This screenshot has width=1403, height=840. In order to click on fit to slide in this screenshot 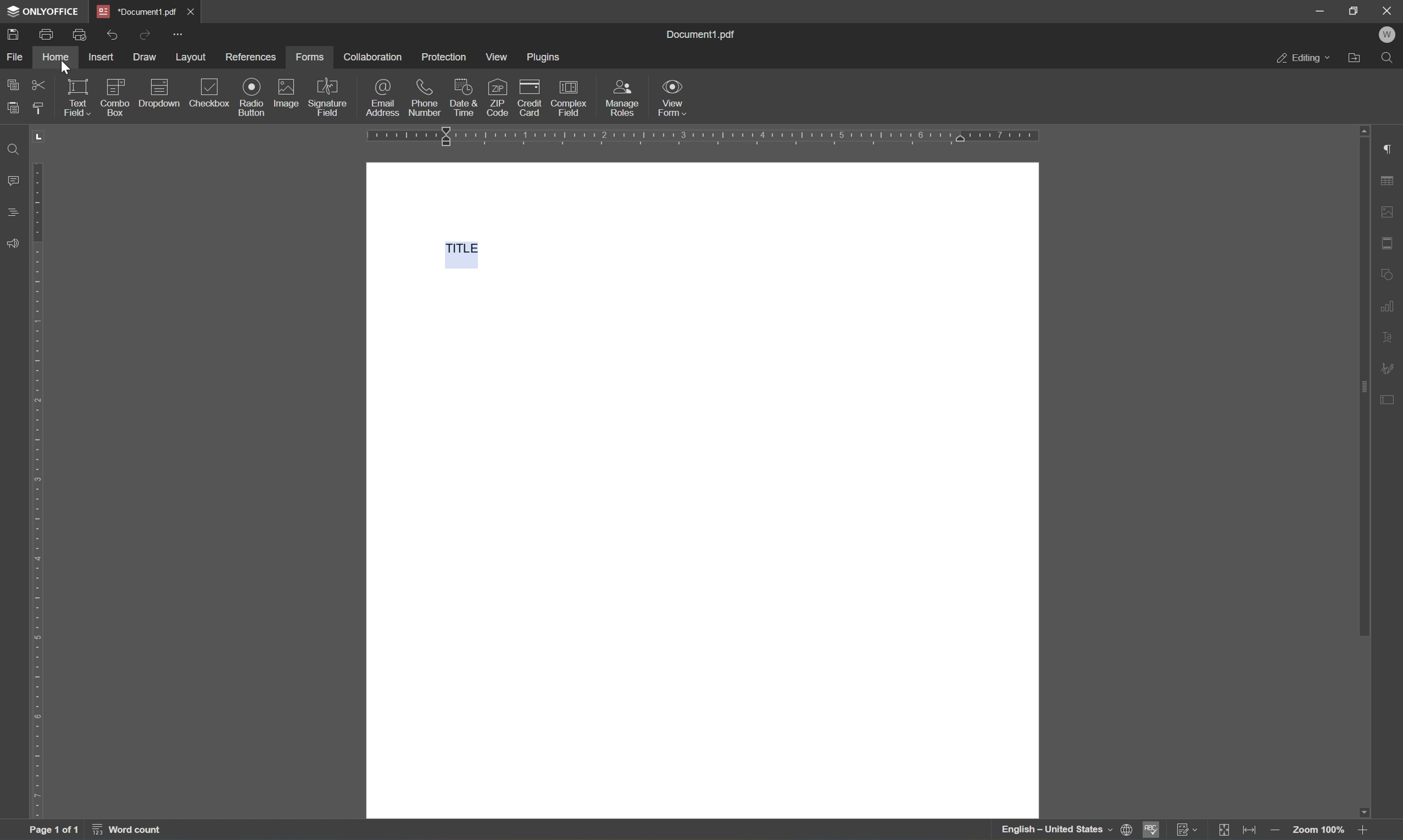, I will do `click(1225, 831)`.